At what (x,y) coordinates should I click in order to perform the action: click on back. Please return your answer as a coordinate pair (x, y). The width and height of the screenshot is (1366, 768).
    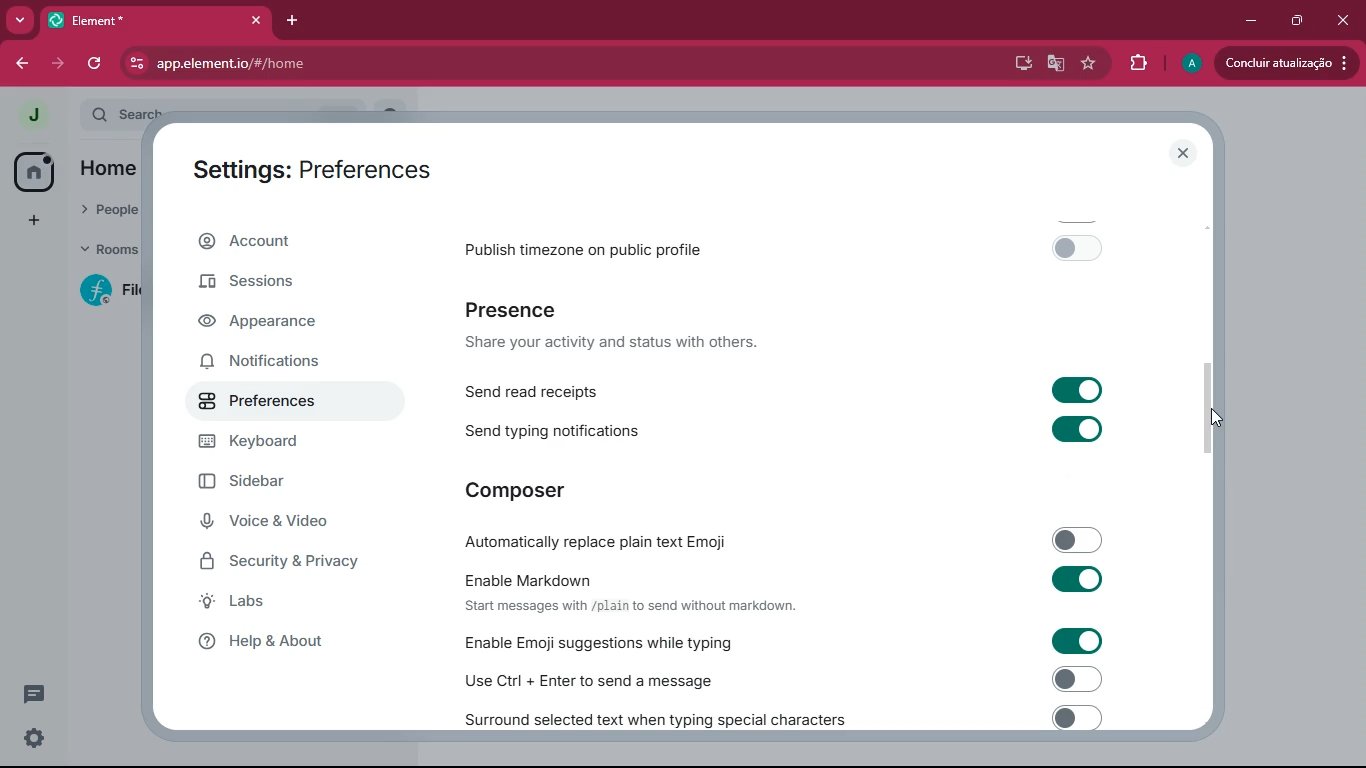
    Looking at the image, I should click on (18, 64).